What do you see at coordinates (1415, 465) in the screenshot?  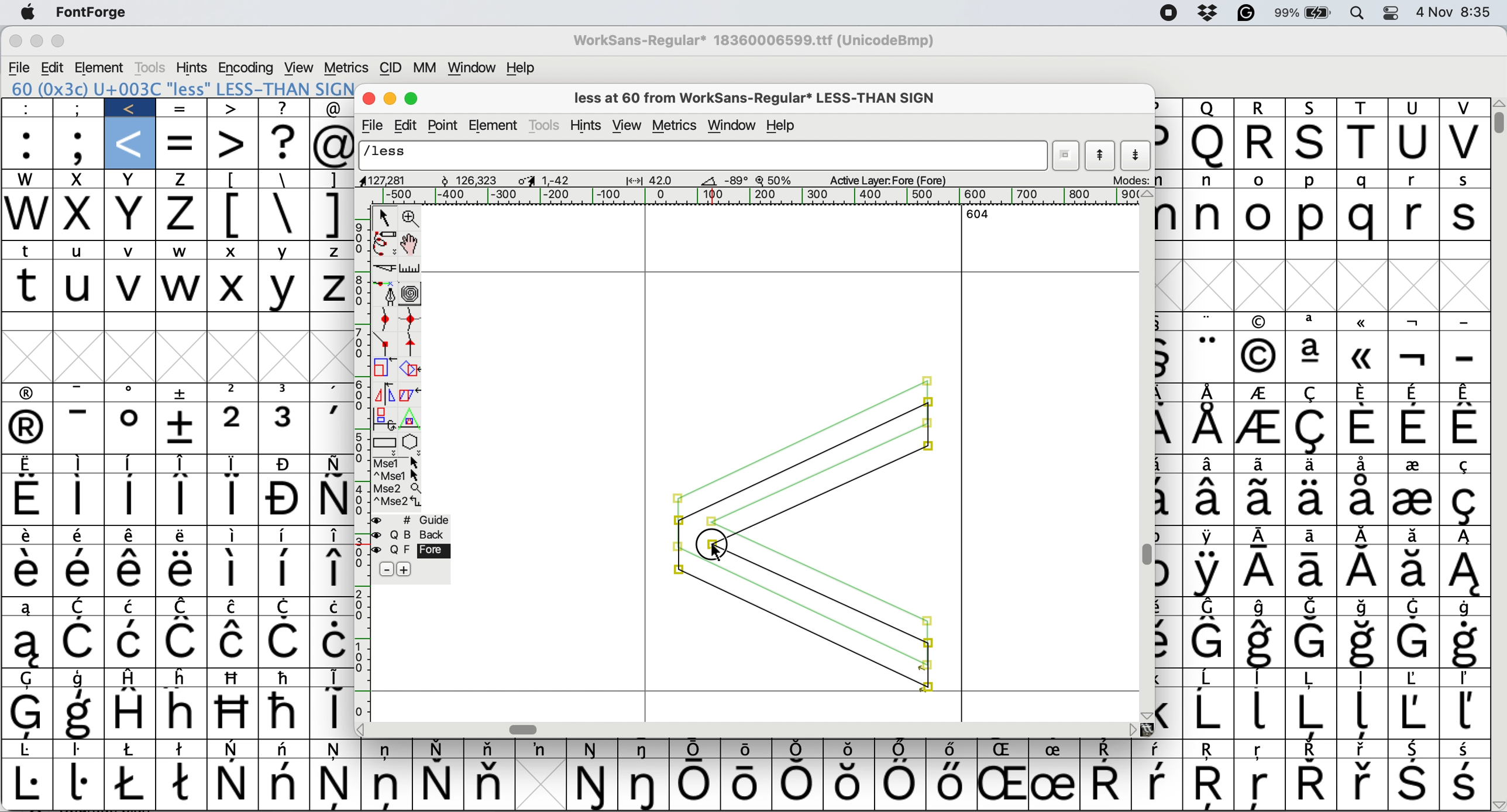 I see `Symbol` at bounding box center [1415, 465].